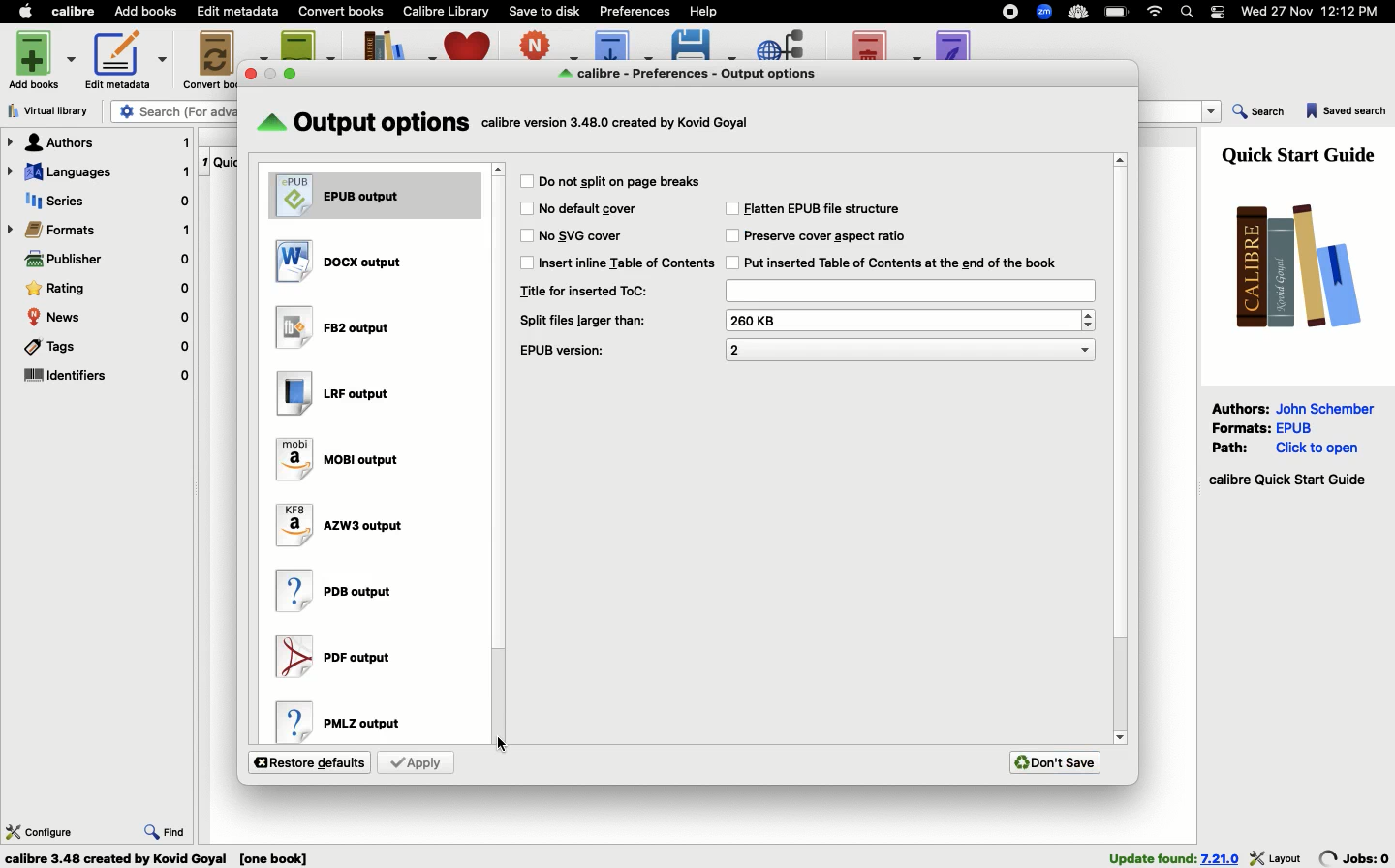 This screenshot has width=1395, height=868. Describe the element at coordinates (105, 350) in the screenshot. I see `Tags` at that location.